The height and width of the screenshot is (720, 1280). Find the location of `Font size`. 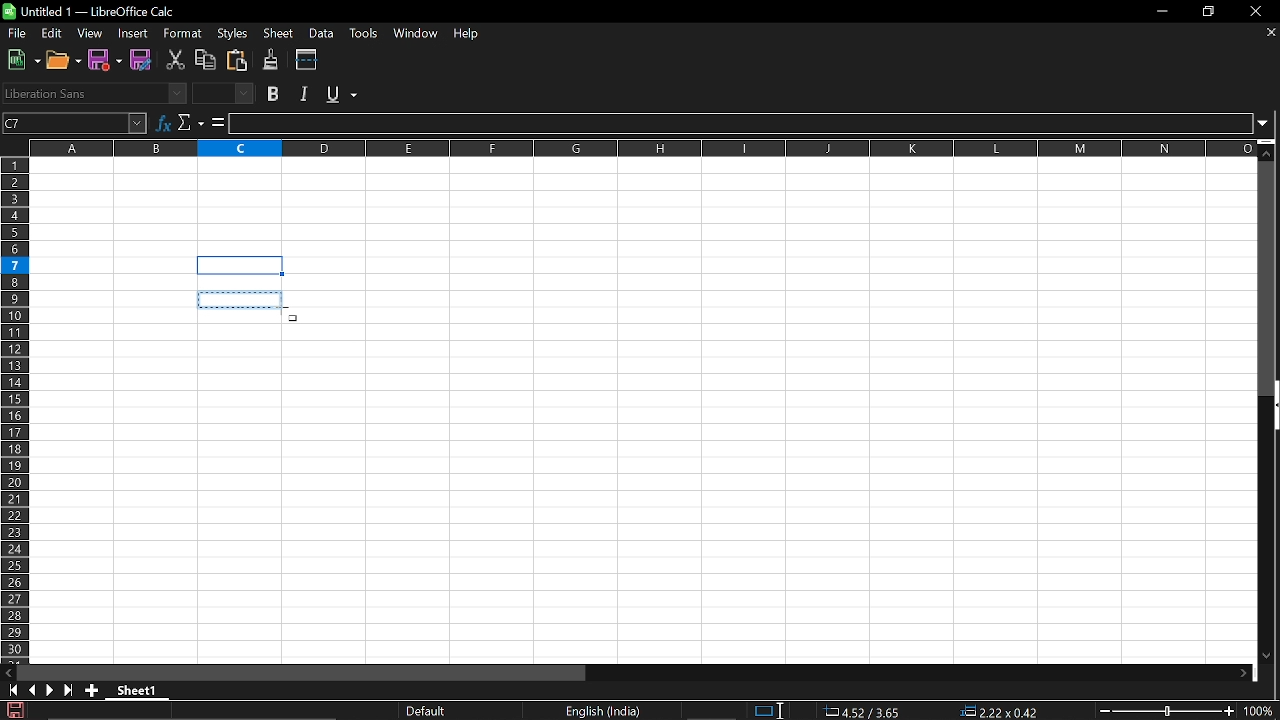

Font size is located at coordinates (226, 94).